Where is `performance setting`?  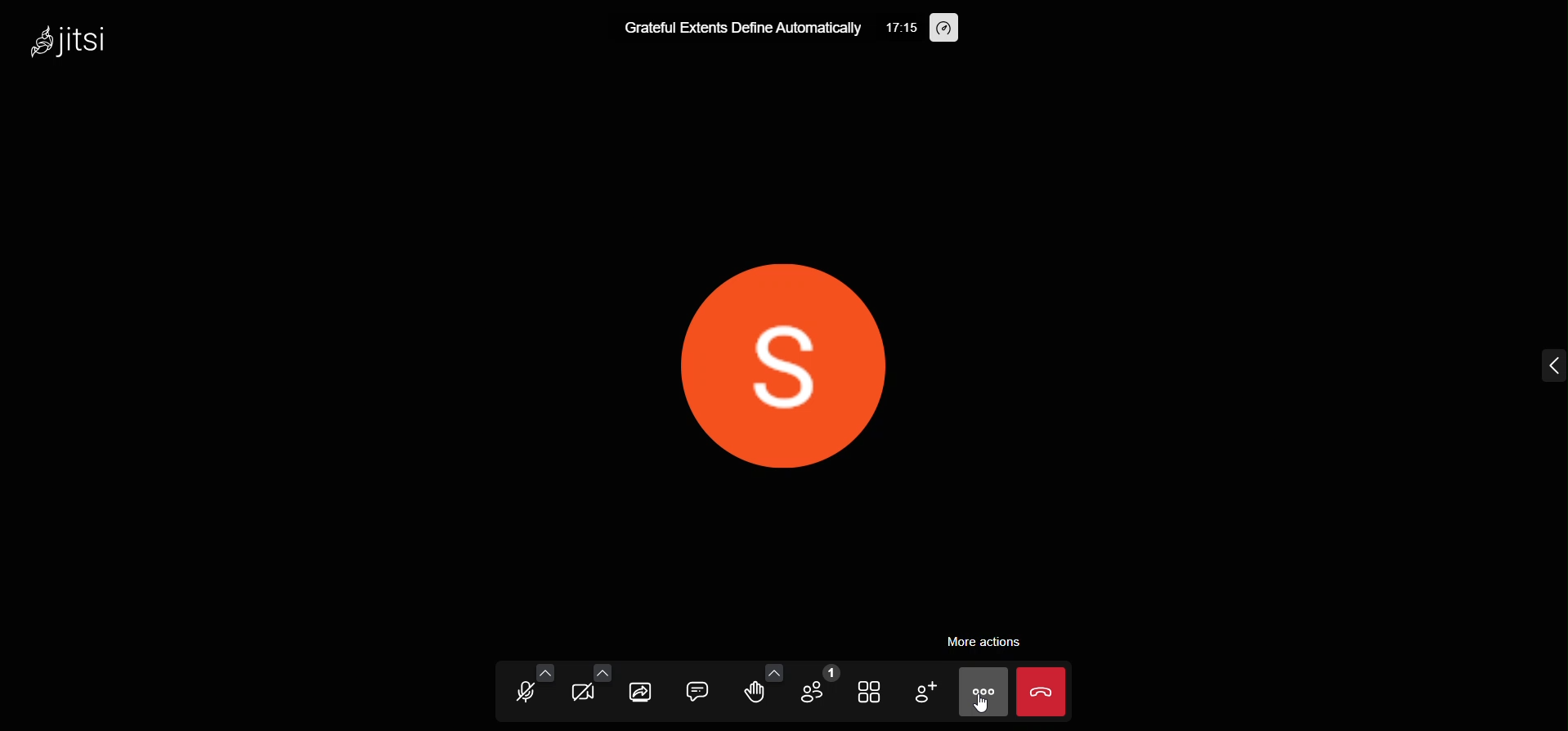 performance setting is located at coordinates (948, 28).